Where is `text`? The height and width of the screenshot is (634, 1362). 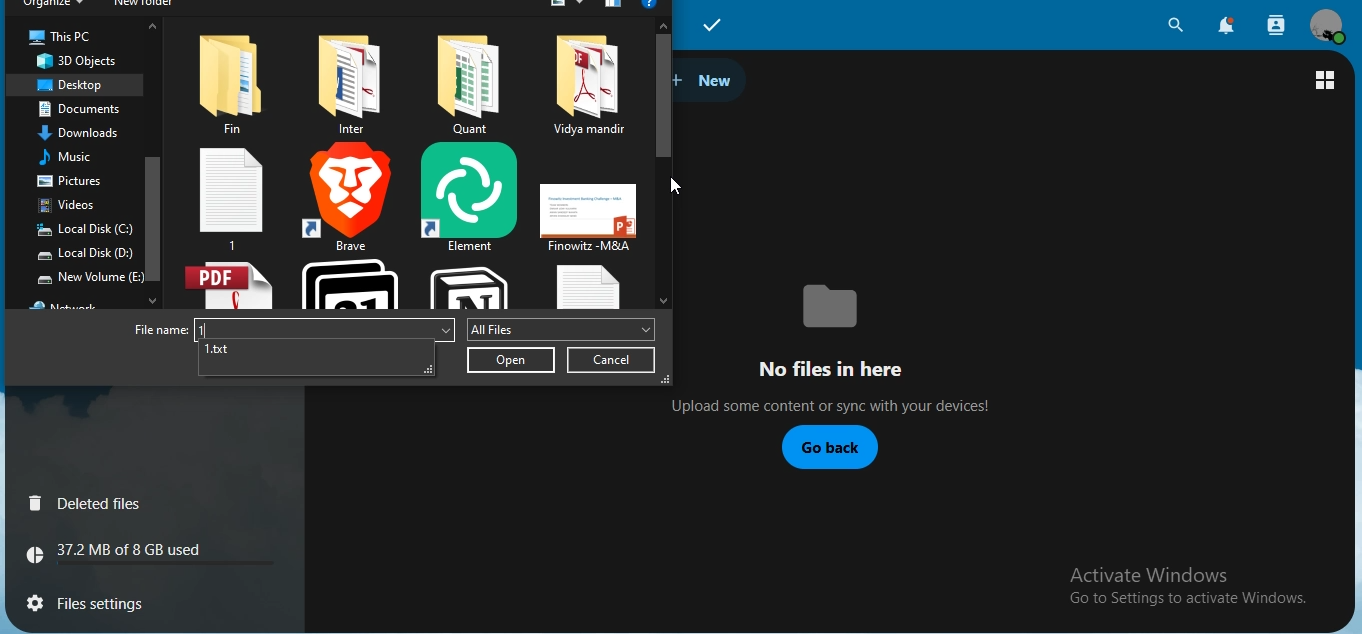
text is located at coordinates (1185, 584).